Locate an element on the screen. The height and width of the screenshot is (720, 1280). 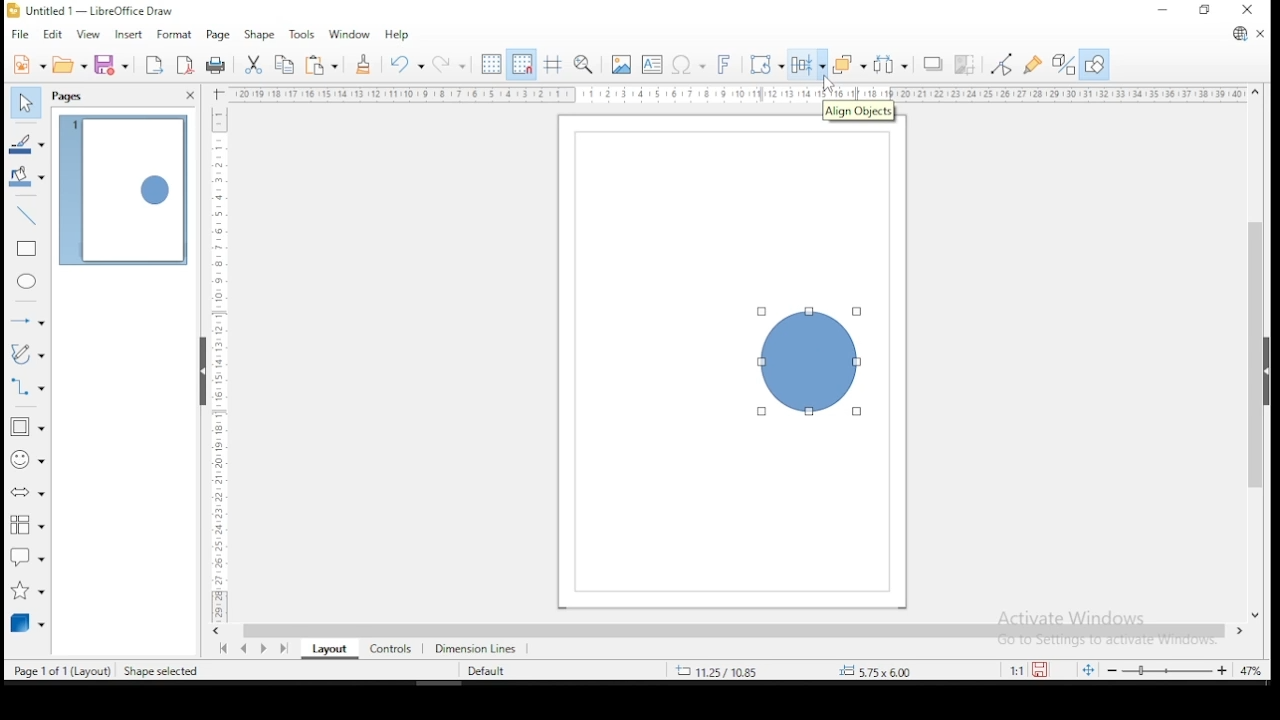
stars and banners is located at coordinates (29, 586).